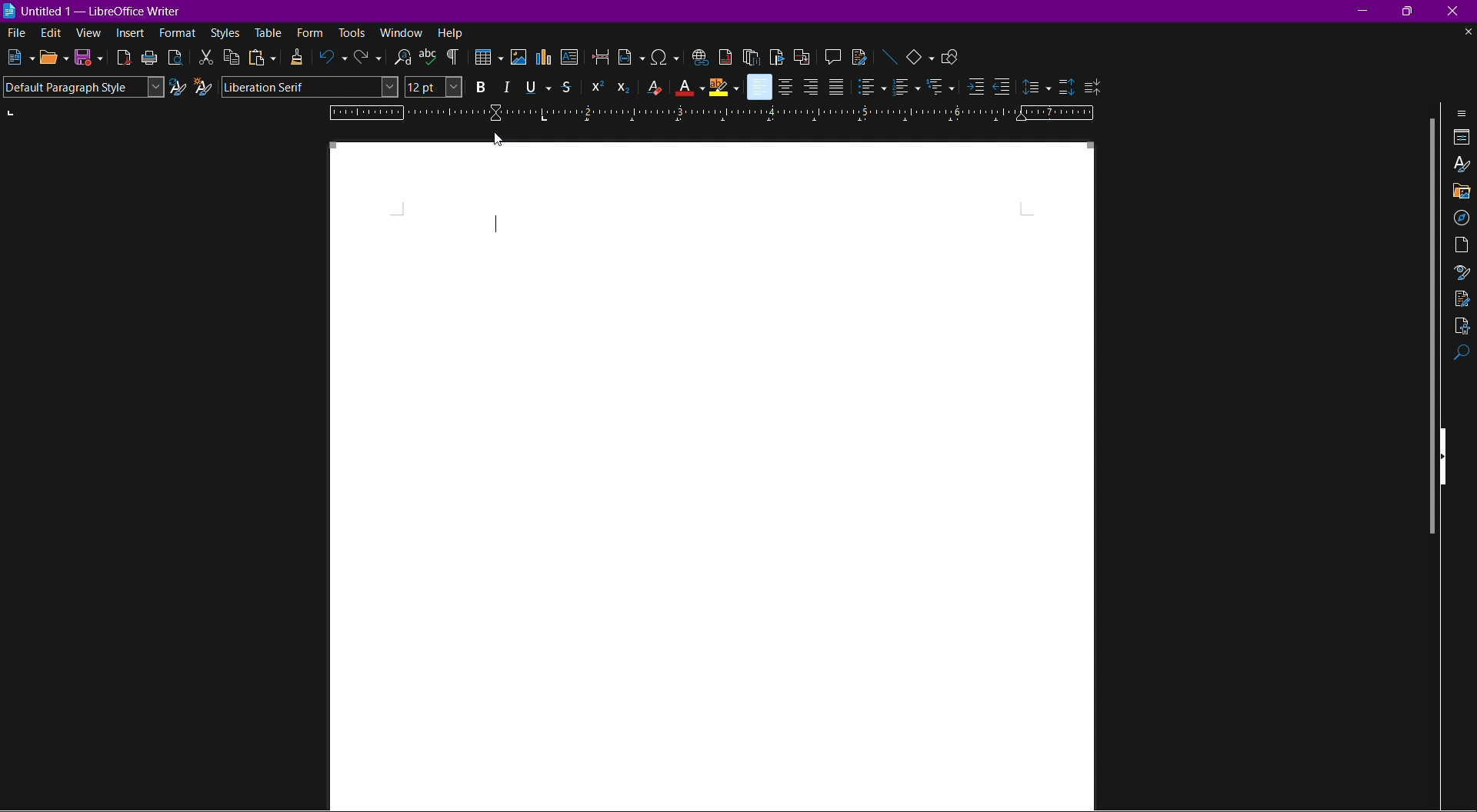 The width and height of the screenshot is (1477, 812). What do you see at coordinates (940, 88) in the screenshot?
I see `Select Outline Format` at bounding box center [940, 88].